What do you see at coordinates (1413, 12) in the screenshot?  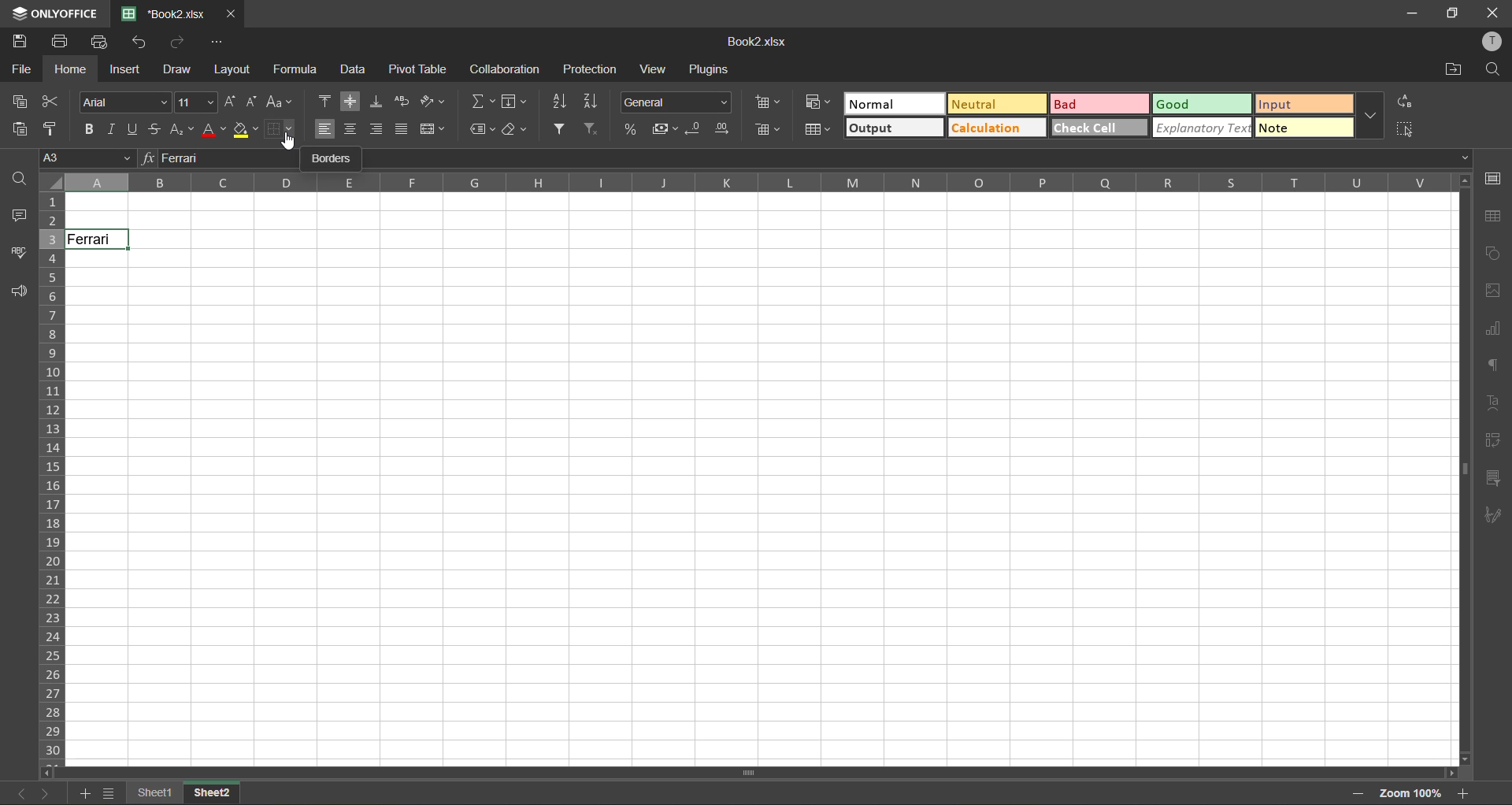 I see `minimize` at bounding box center [1413, 12].